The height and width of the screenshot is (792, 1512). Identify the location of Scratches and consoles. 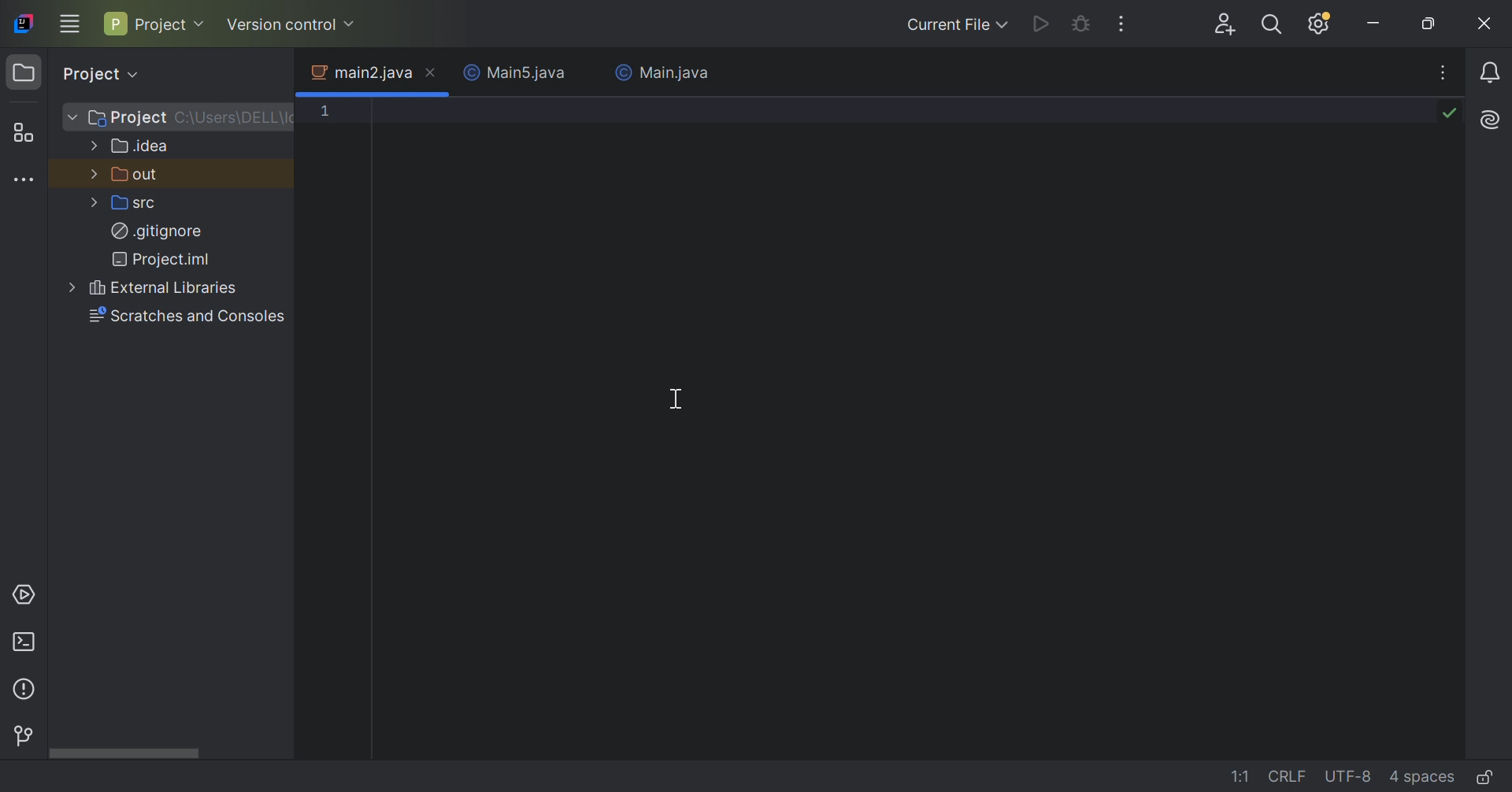
(187, 316).